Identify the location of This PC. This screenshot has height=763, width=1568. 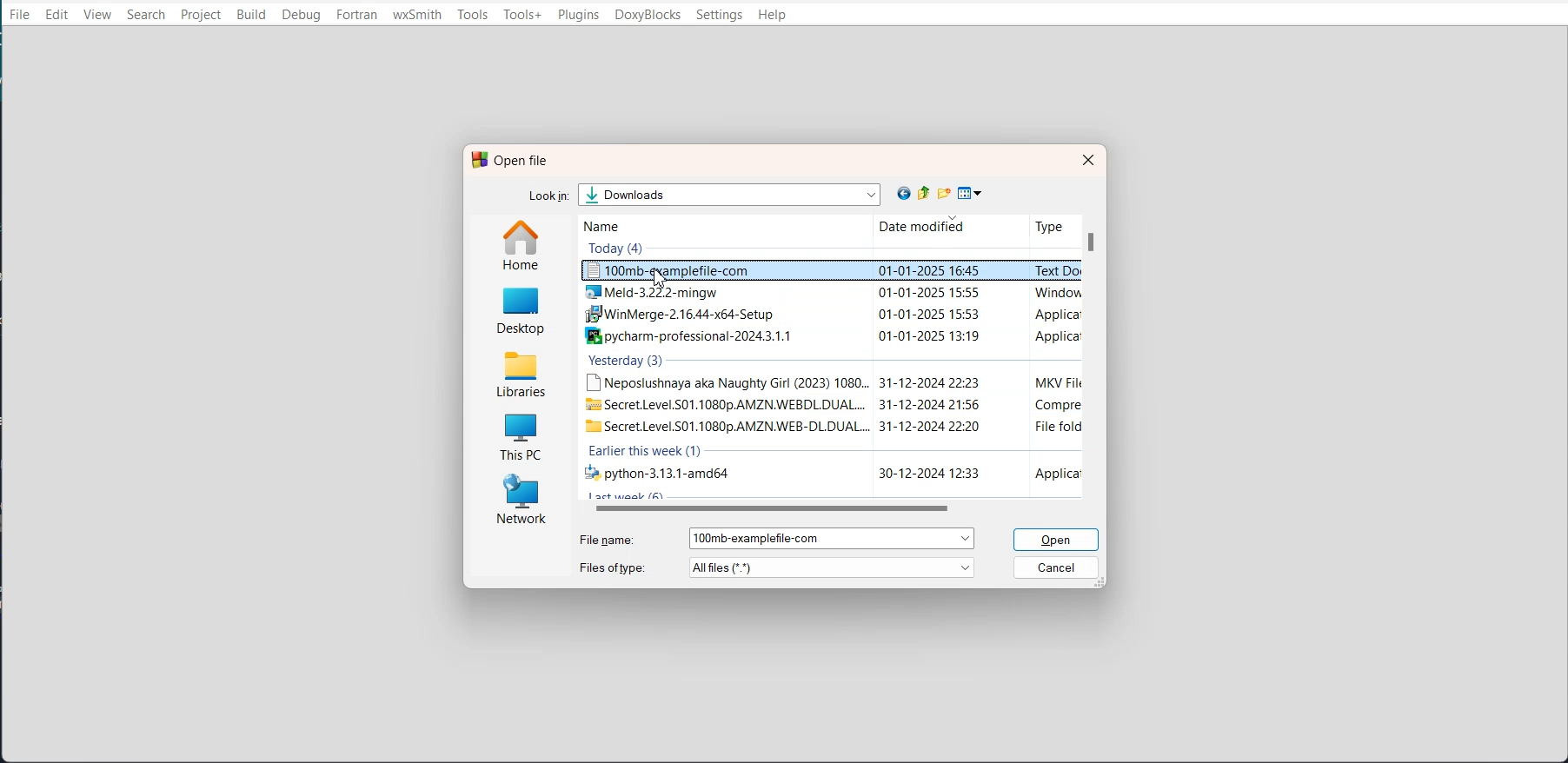
(520, 433).